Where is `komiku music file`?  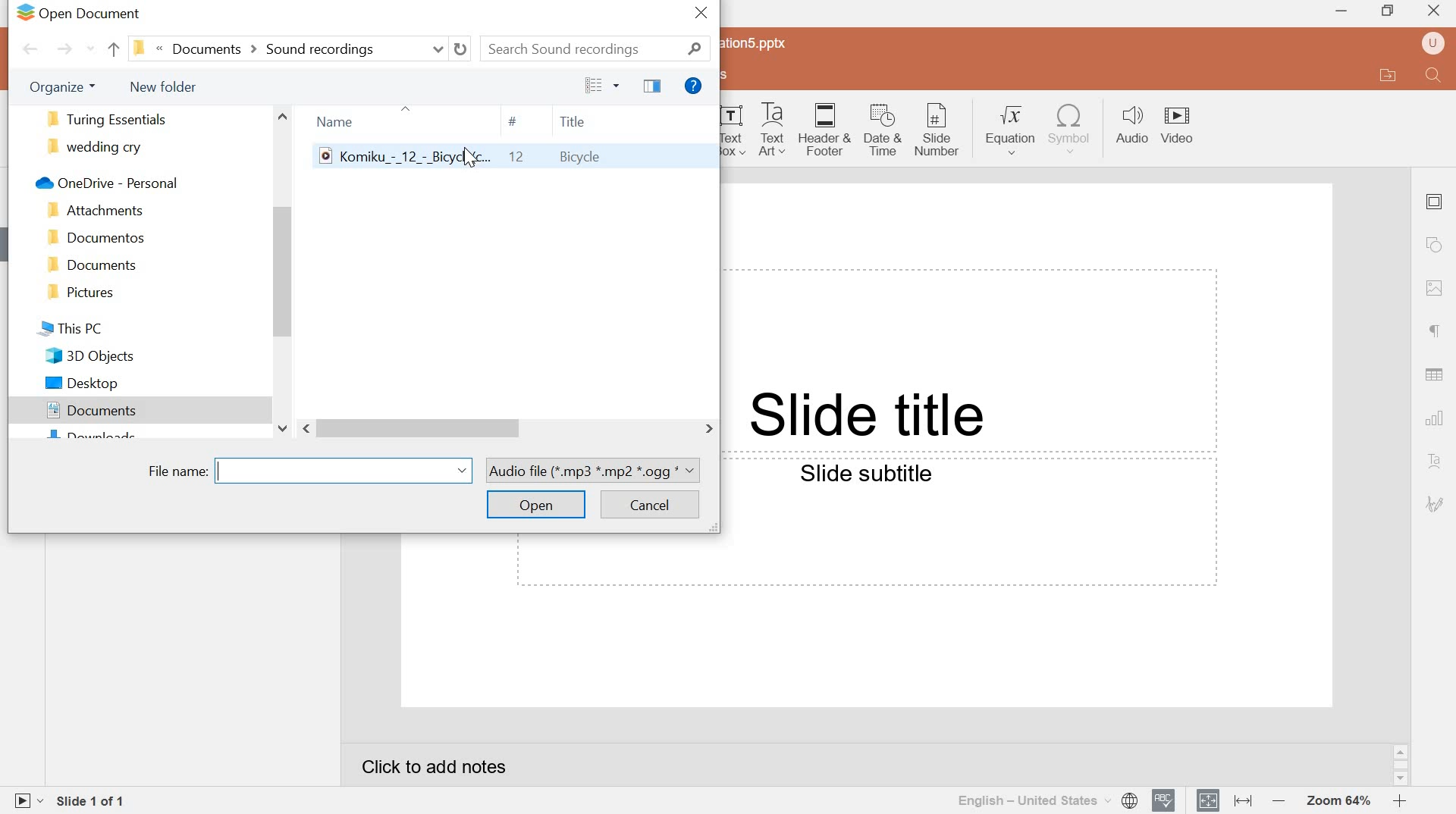 komiku music file is located at coordinates (515, 156).